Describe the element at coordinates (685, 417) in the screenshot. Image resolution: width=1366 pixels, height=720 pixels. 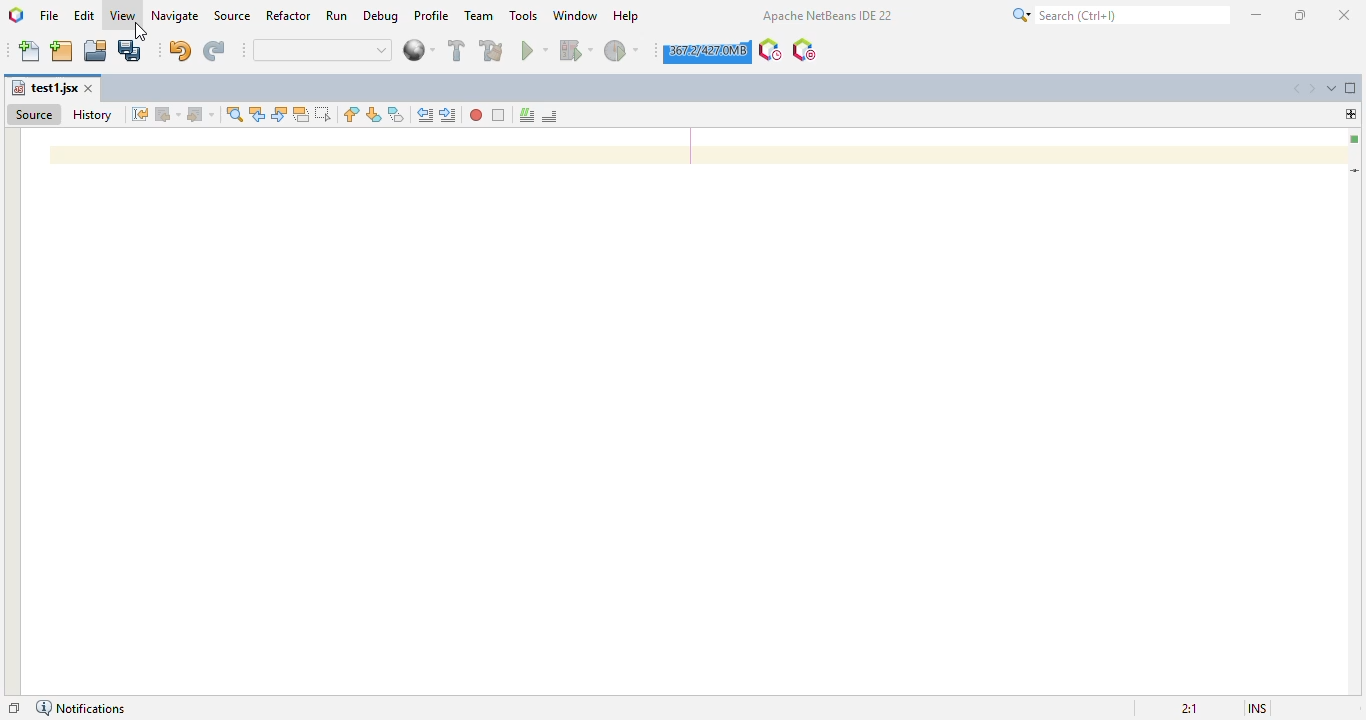
I see `editor workspace` at that location.